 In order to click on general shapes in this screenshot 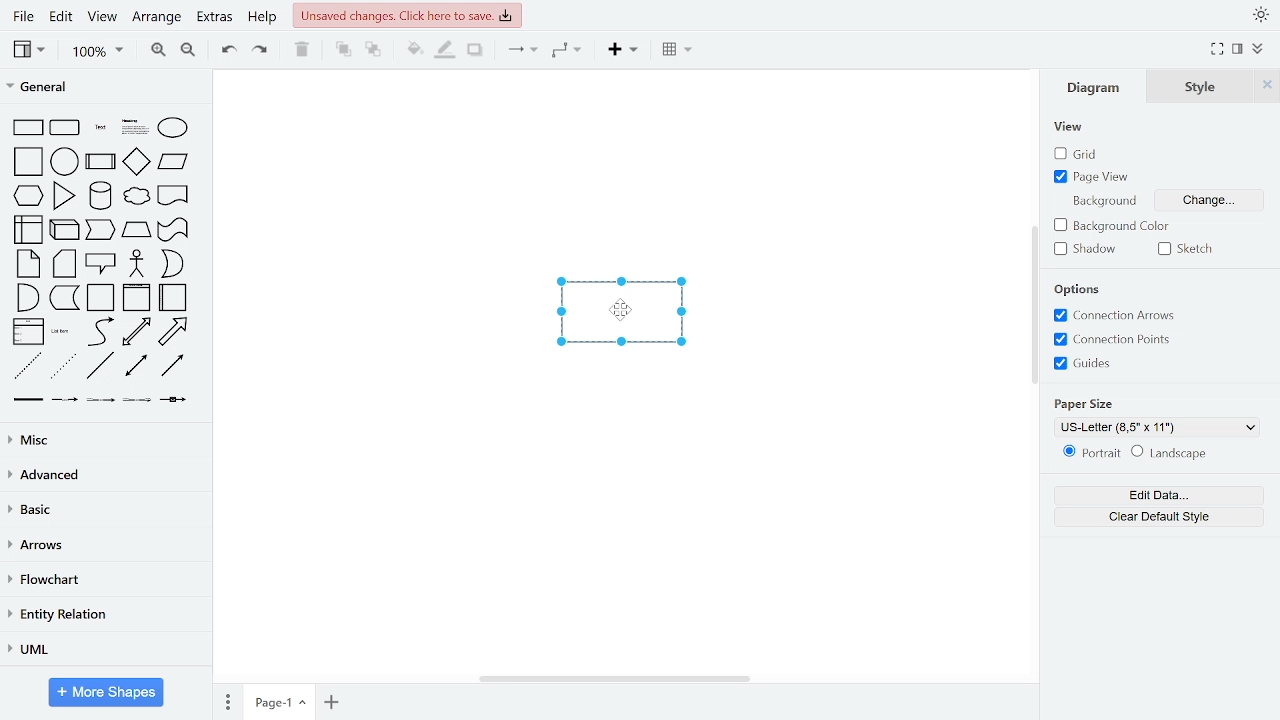, I will do `click(100, 365)`.